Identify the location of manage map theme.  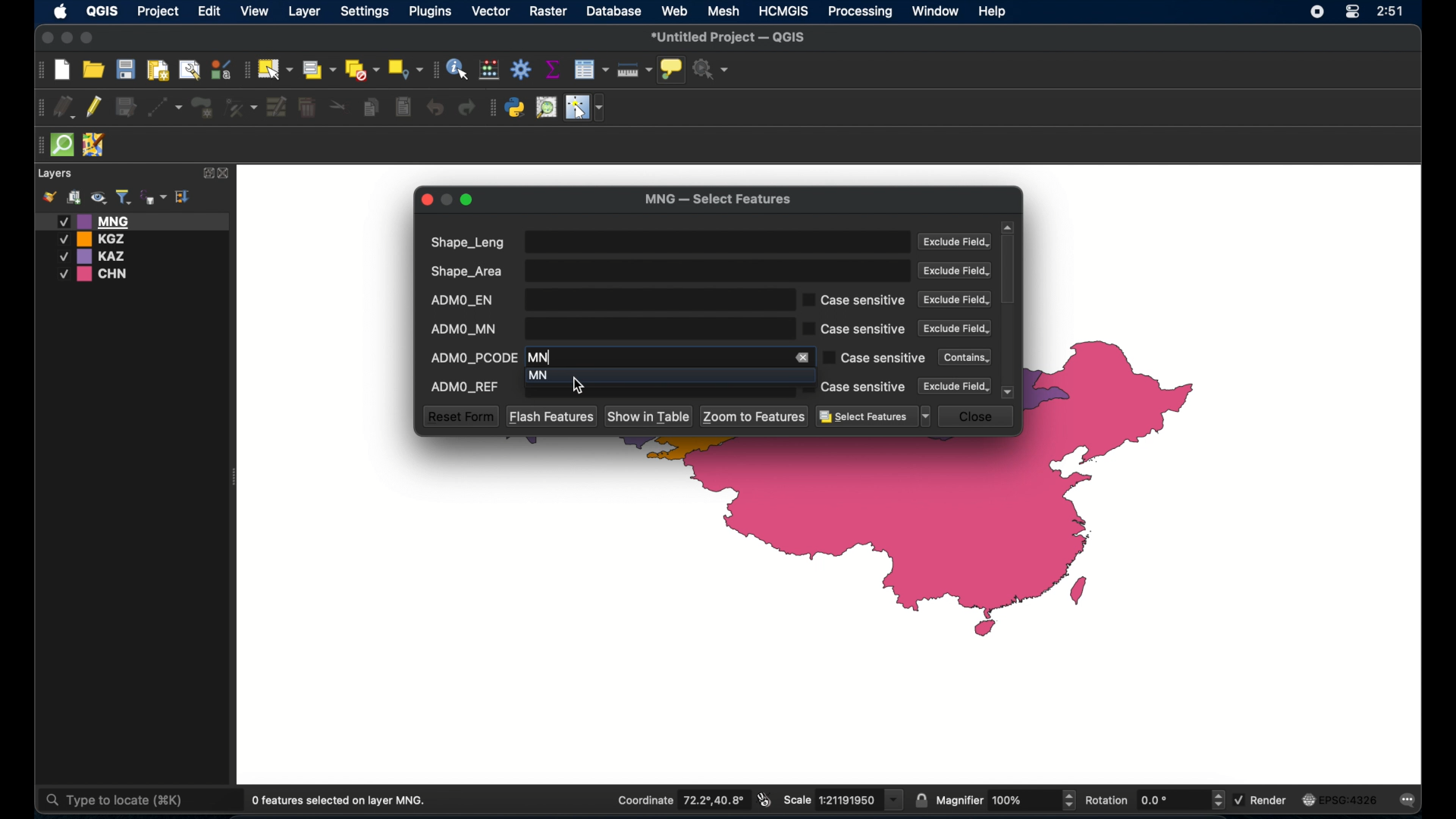
(98, 198).